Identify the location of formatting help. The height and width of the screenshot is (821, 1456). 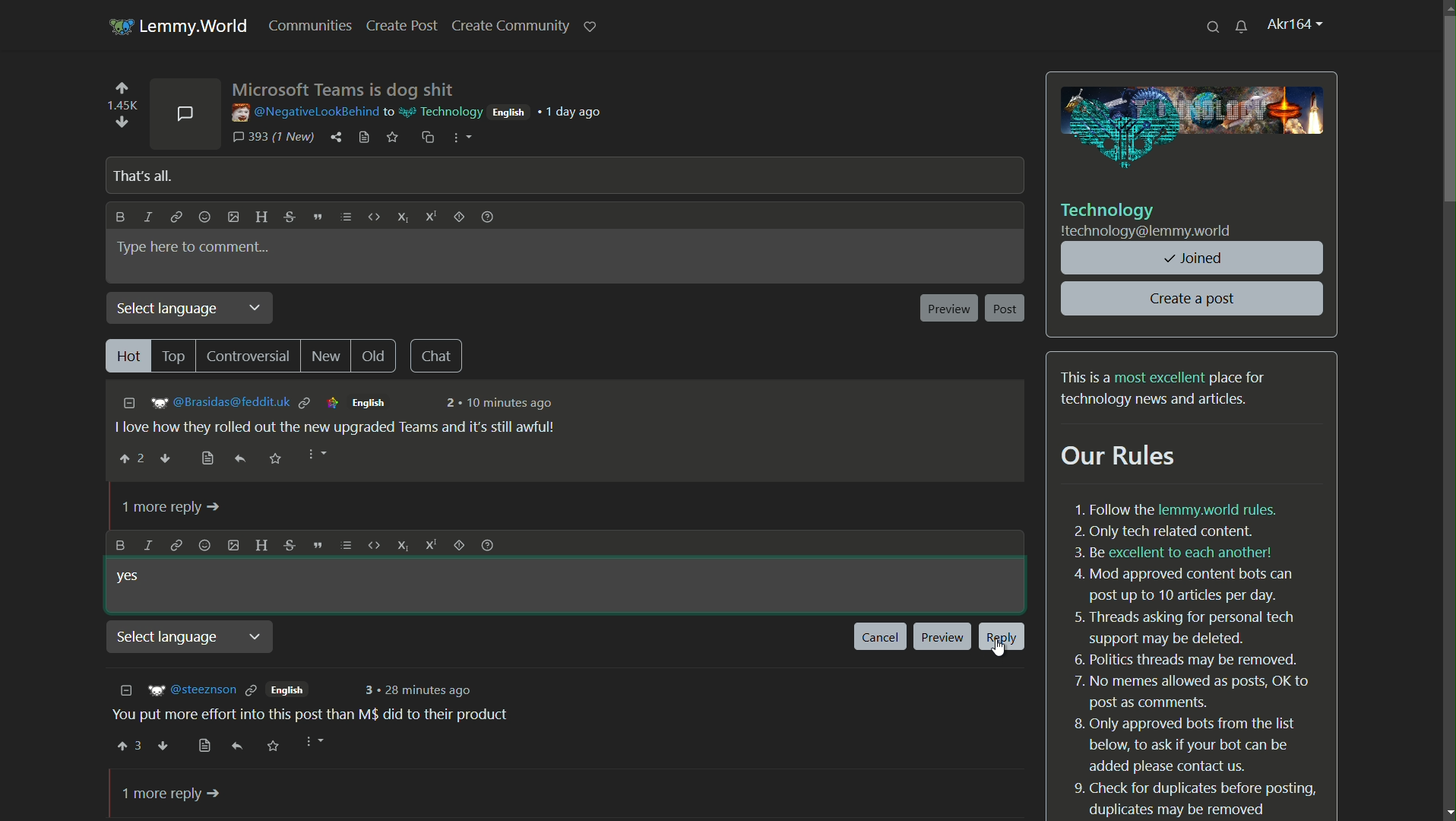
(487, 546).